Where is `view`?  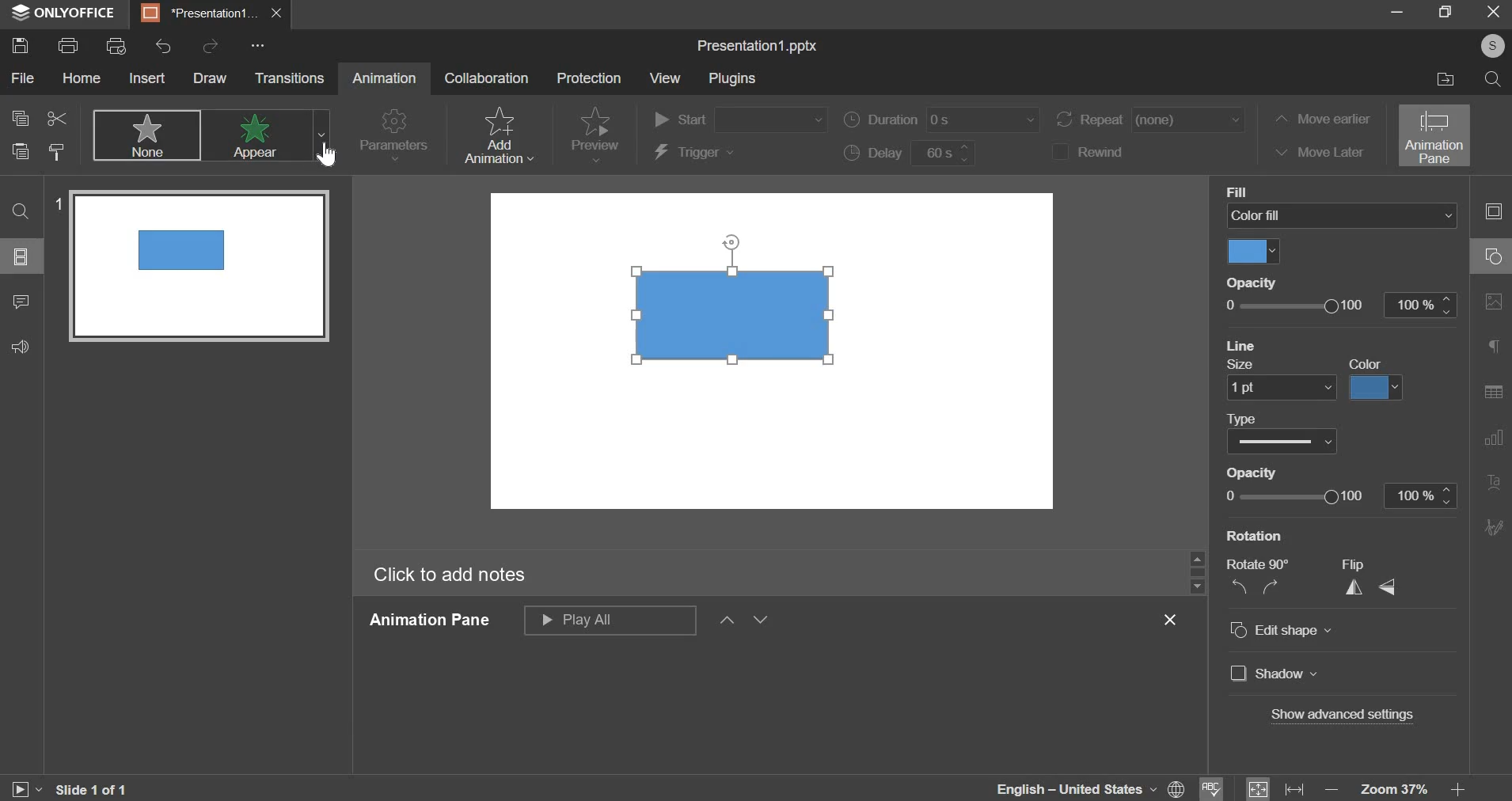
view is located at coordinates (667, 79).